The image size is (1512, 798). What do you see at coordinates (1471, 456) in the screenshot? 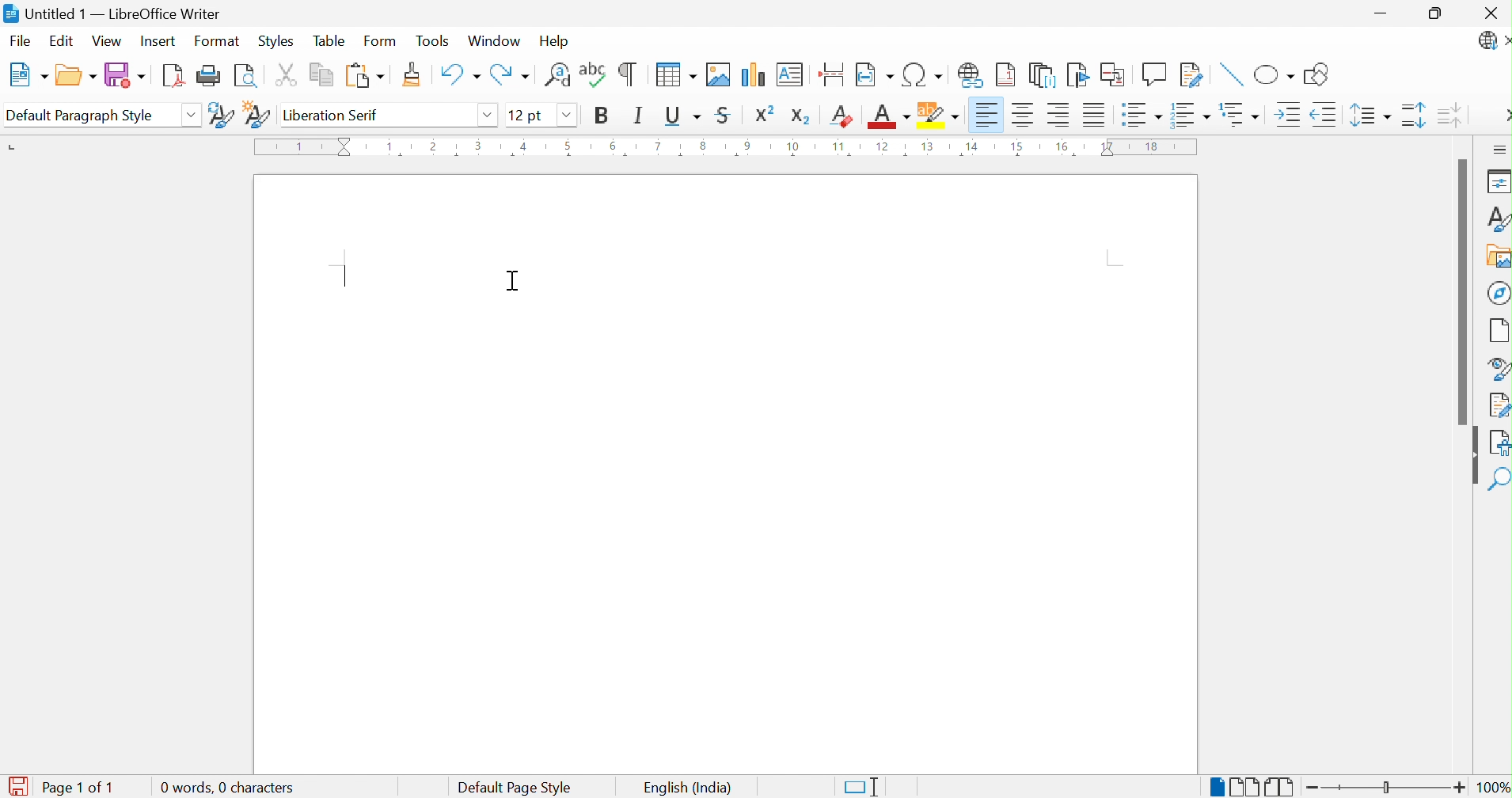
I see `Hide` at bounding box center [1471, 456].